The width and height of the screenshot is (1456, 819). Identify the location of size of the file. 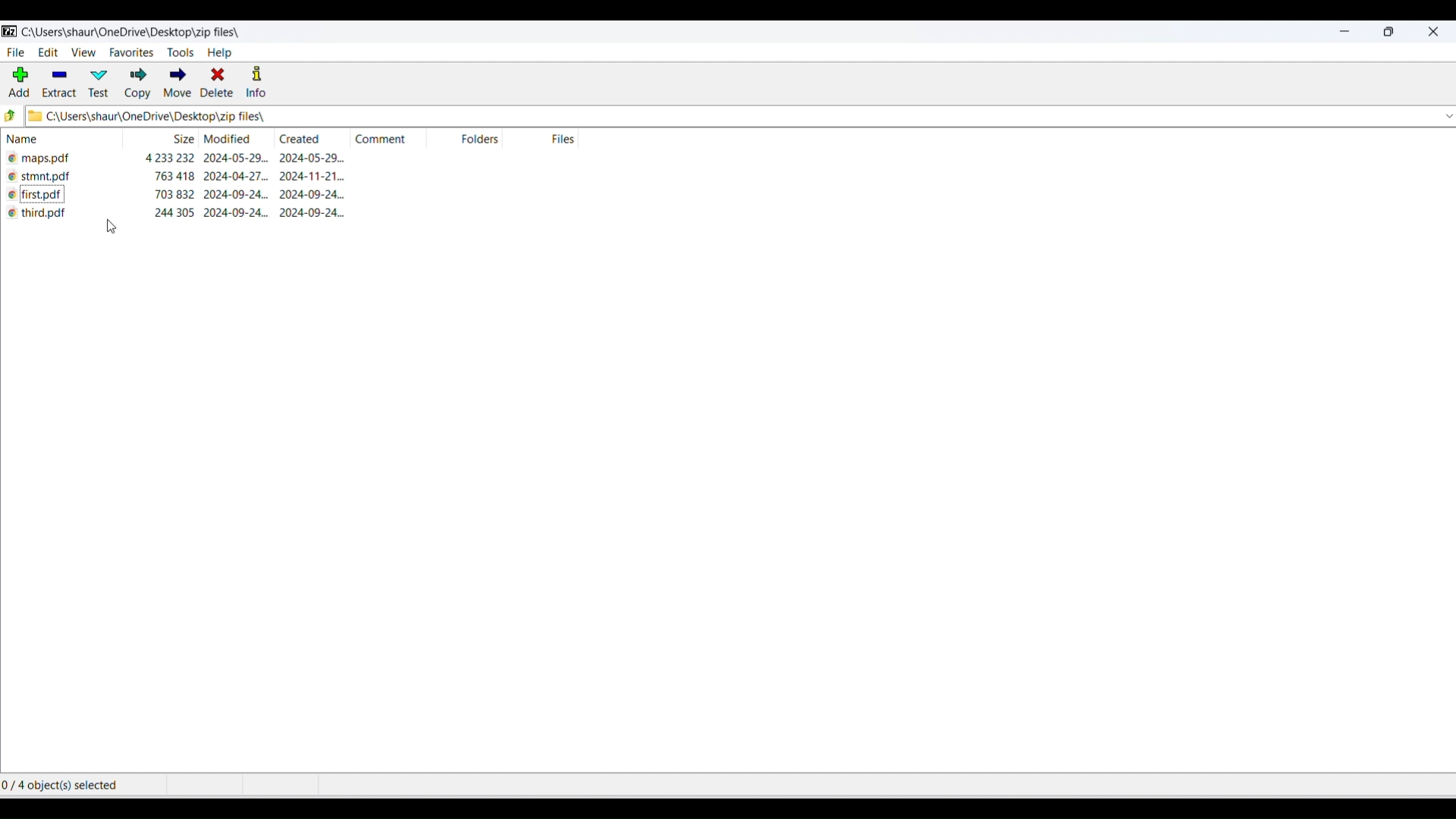
(172, 158).